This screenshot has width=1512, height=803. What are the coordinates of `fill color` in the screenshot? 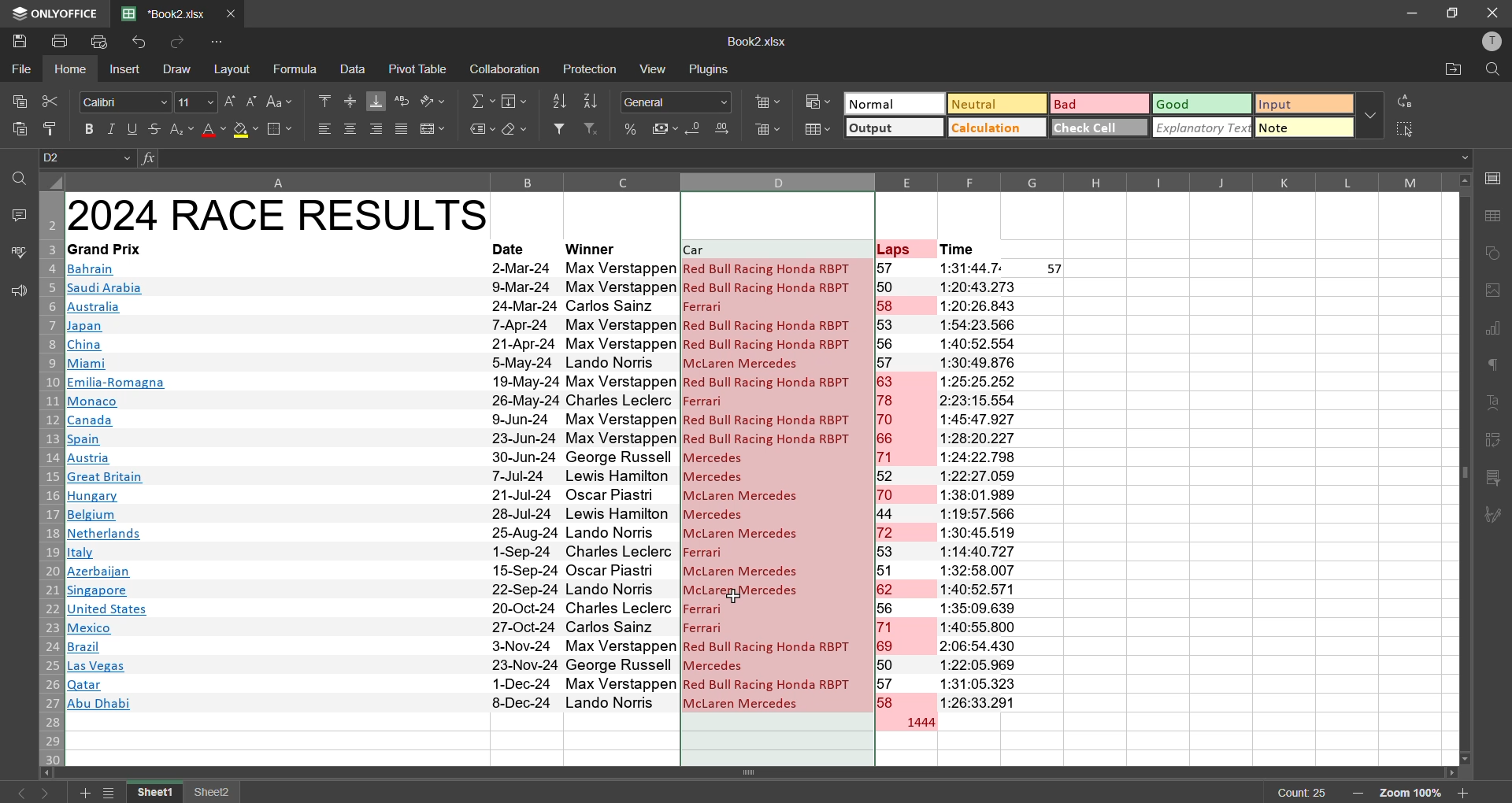 It's located at (246, 131).